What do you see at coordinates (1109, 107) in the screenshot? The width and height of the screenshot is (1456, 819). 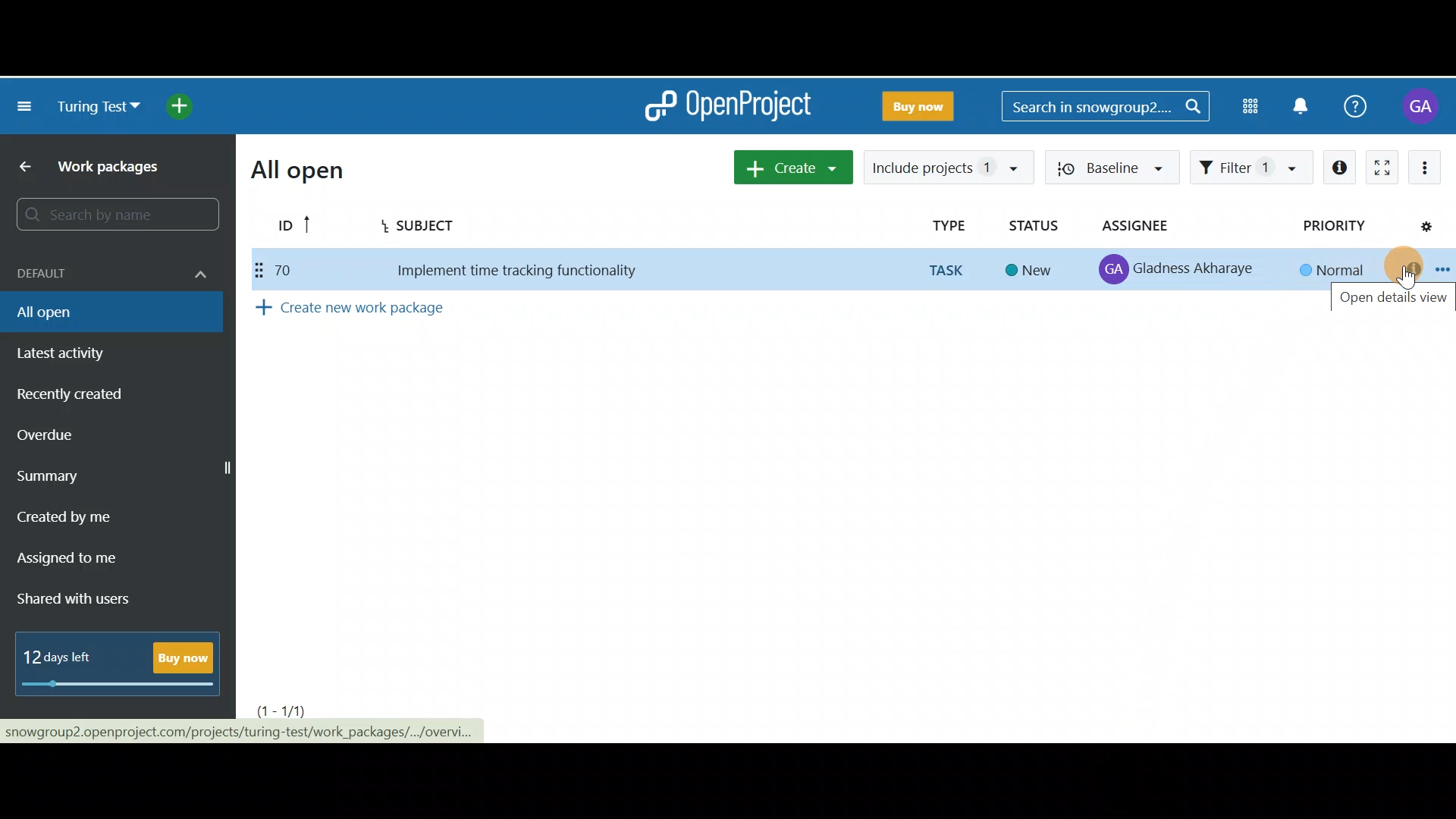 I see `Search bar` at bounding box center [1109, 107].